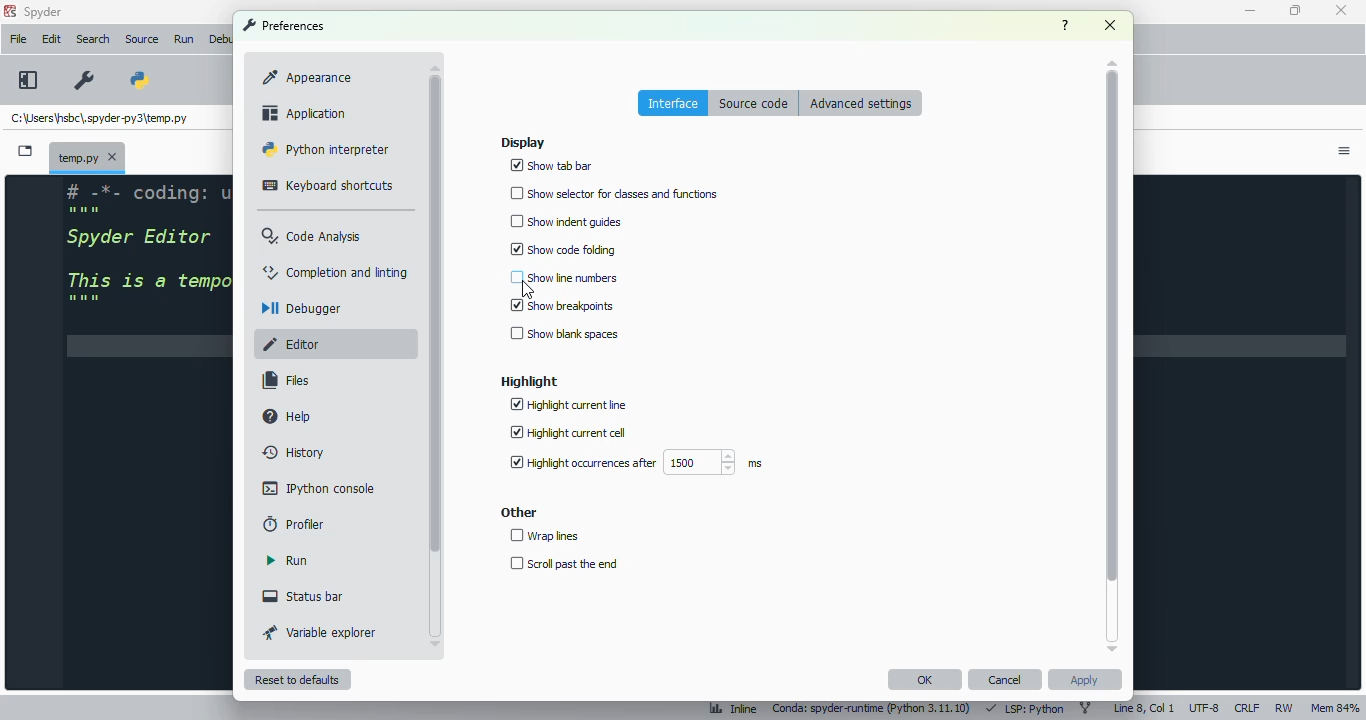 The height and width of the screenshot is (720, 1366). What do you see at coordinates (10, 11) in the screenshot?
I see `logo` at bounding box center [10, 11].